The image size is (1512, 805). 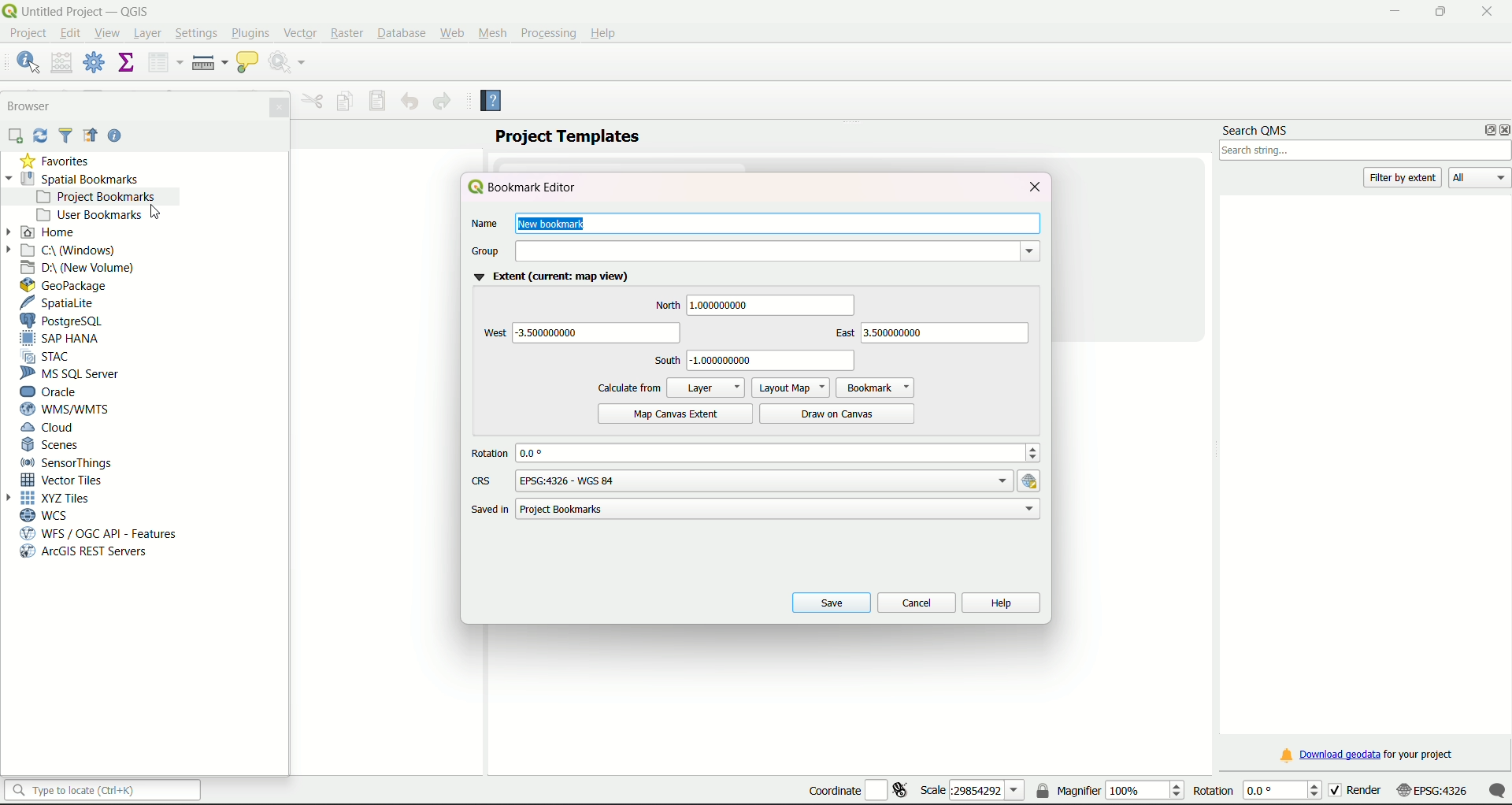 I want to click on Favorties, so click(x=55, y=161).